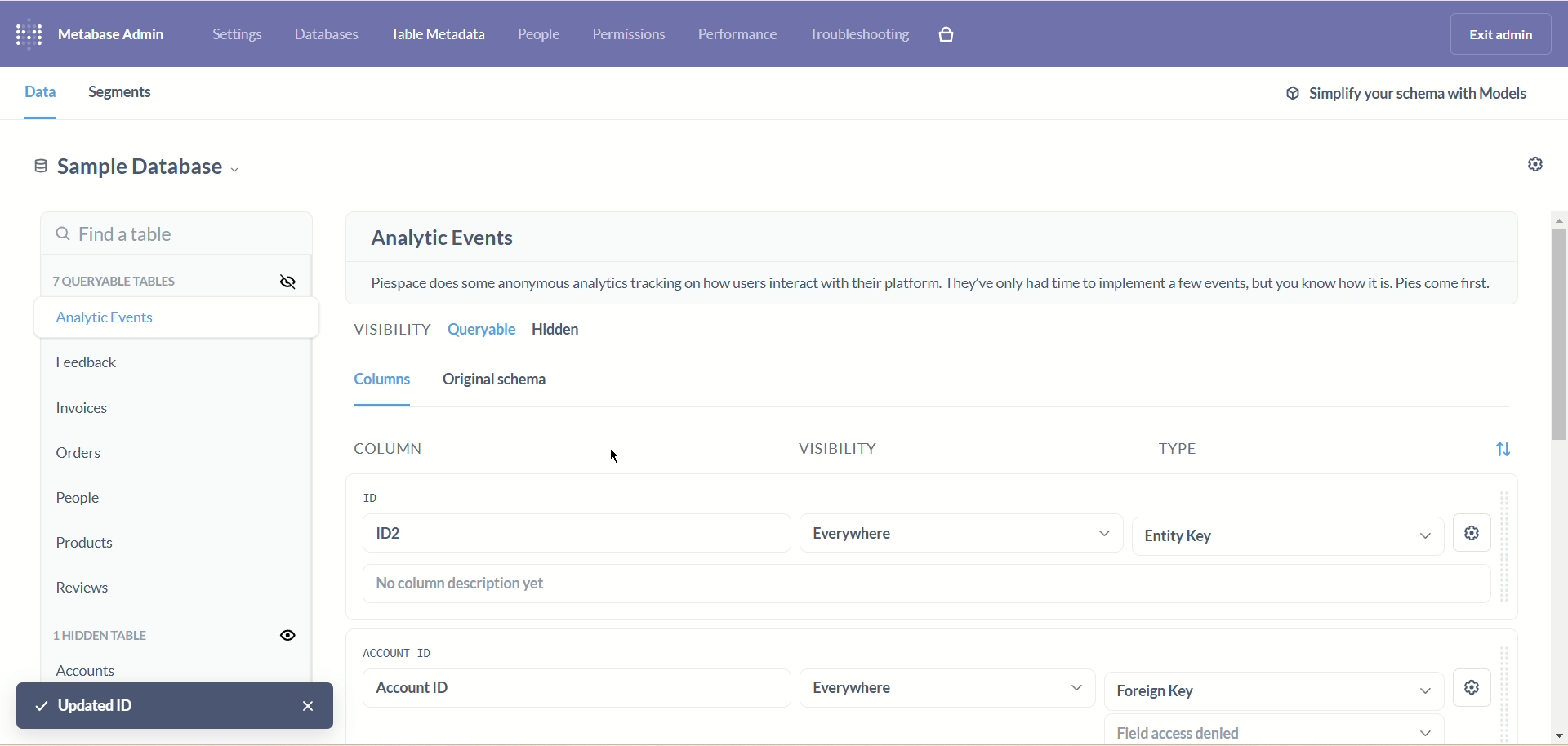 The image size is (1568, 746). What do you see at coordinates (78, 452) in the screenshot?
I see `Orders` at bounding box center [78, 452].